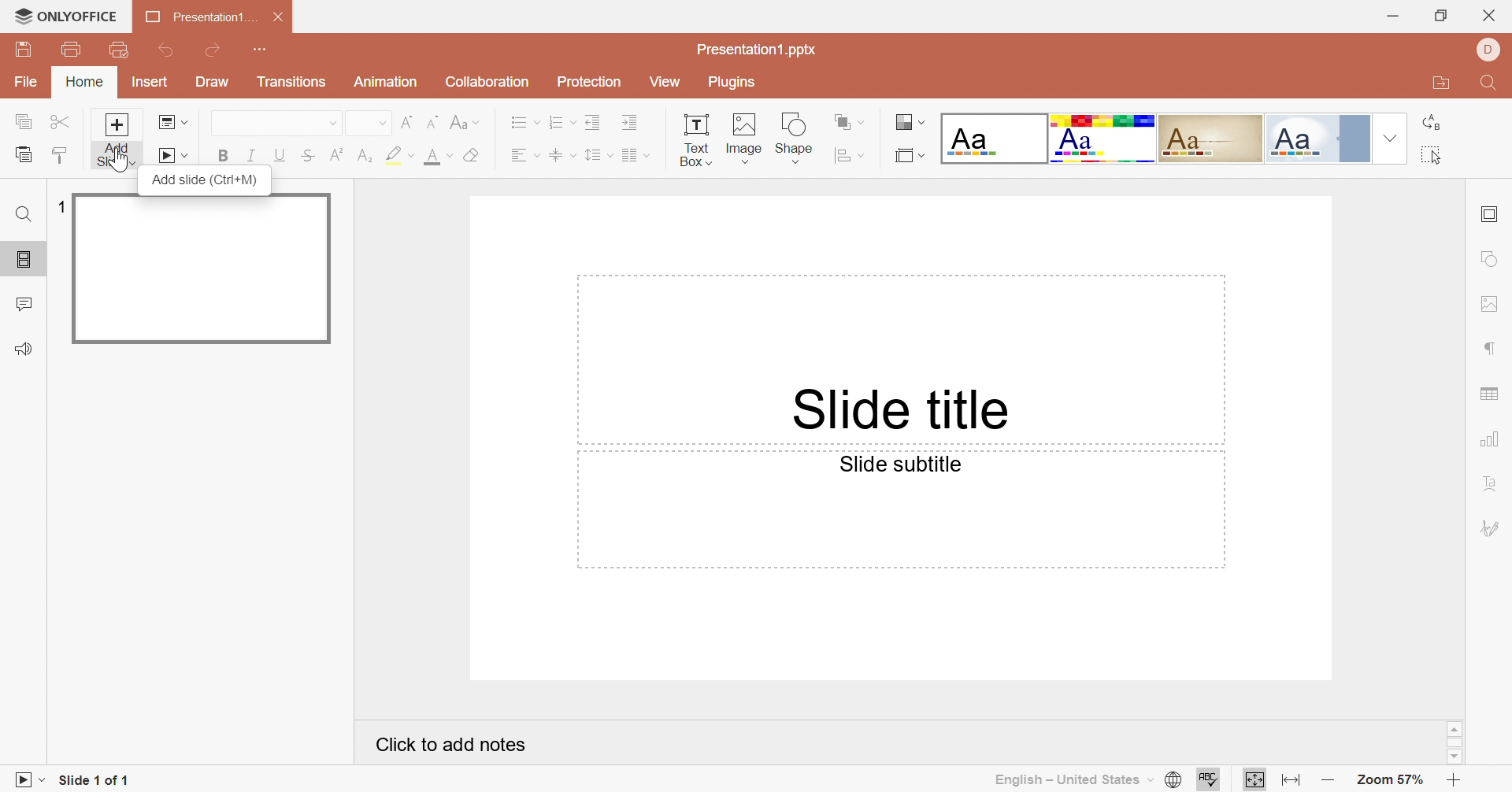 The width and height of the screenshot is (1512, 792). What do you see at coordinates (62, 206) in the screenshot?
I see `1` at bounding box center [62, 206].